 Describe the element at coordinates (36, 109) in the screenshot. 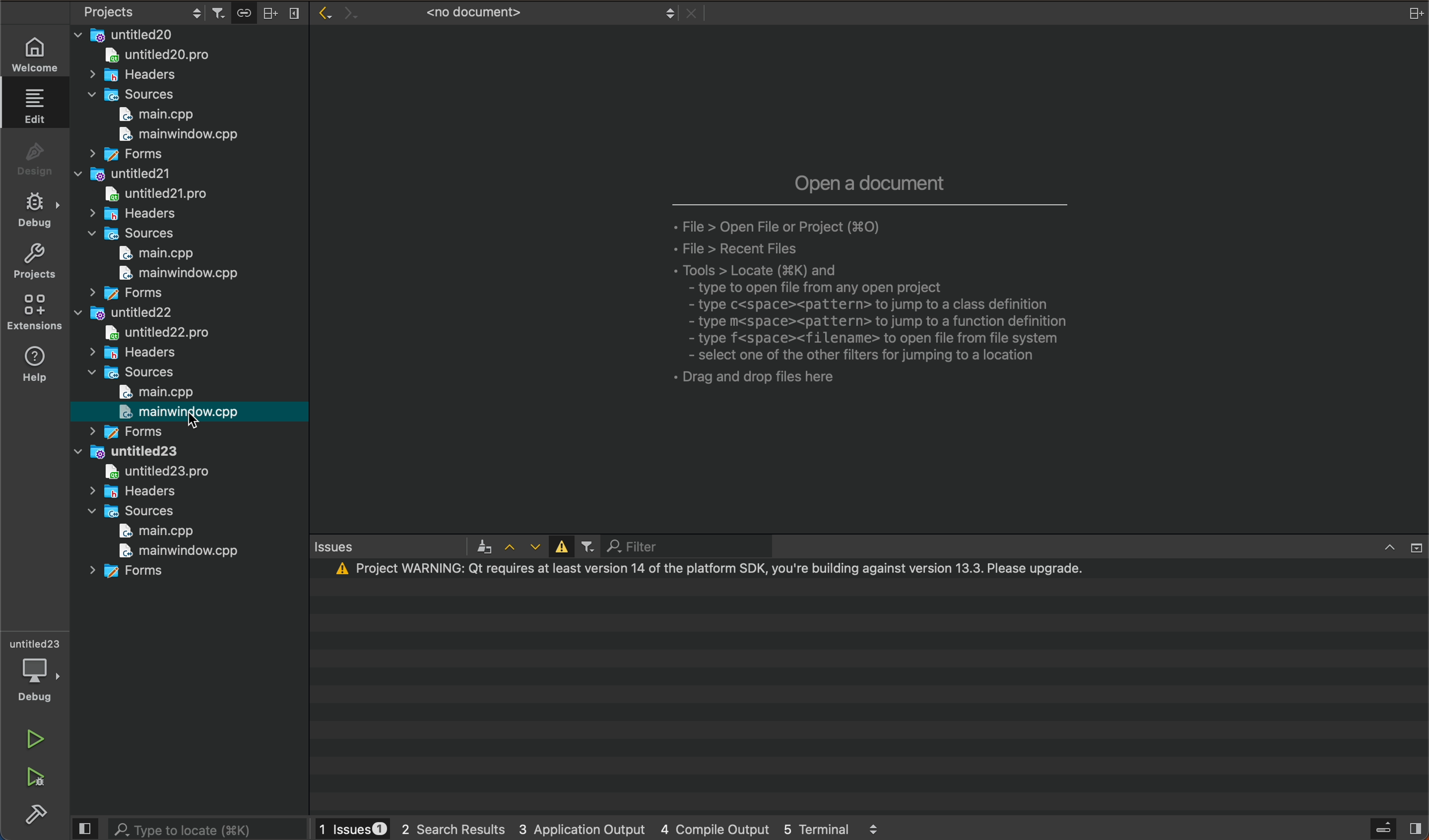

I see `edit` at that location.